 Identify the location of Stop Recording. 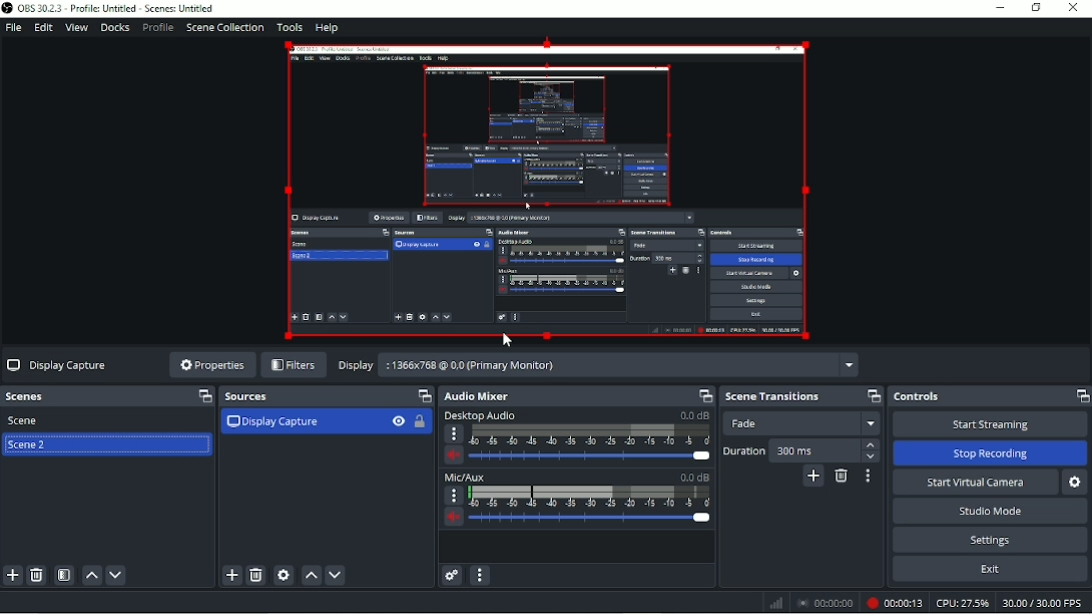
(989, 453).